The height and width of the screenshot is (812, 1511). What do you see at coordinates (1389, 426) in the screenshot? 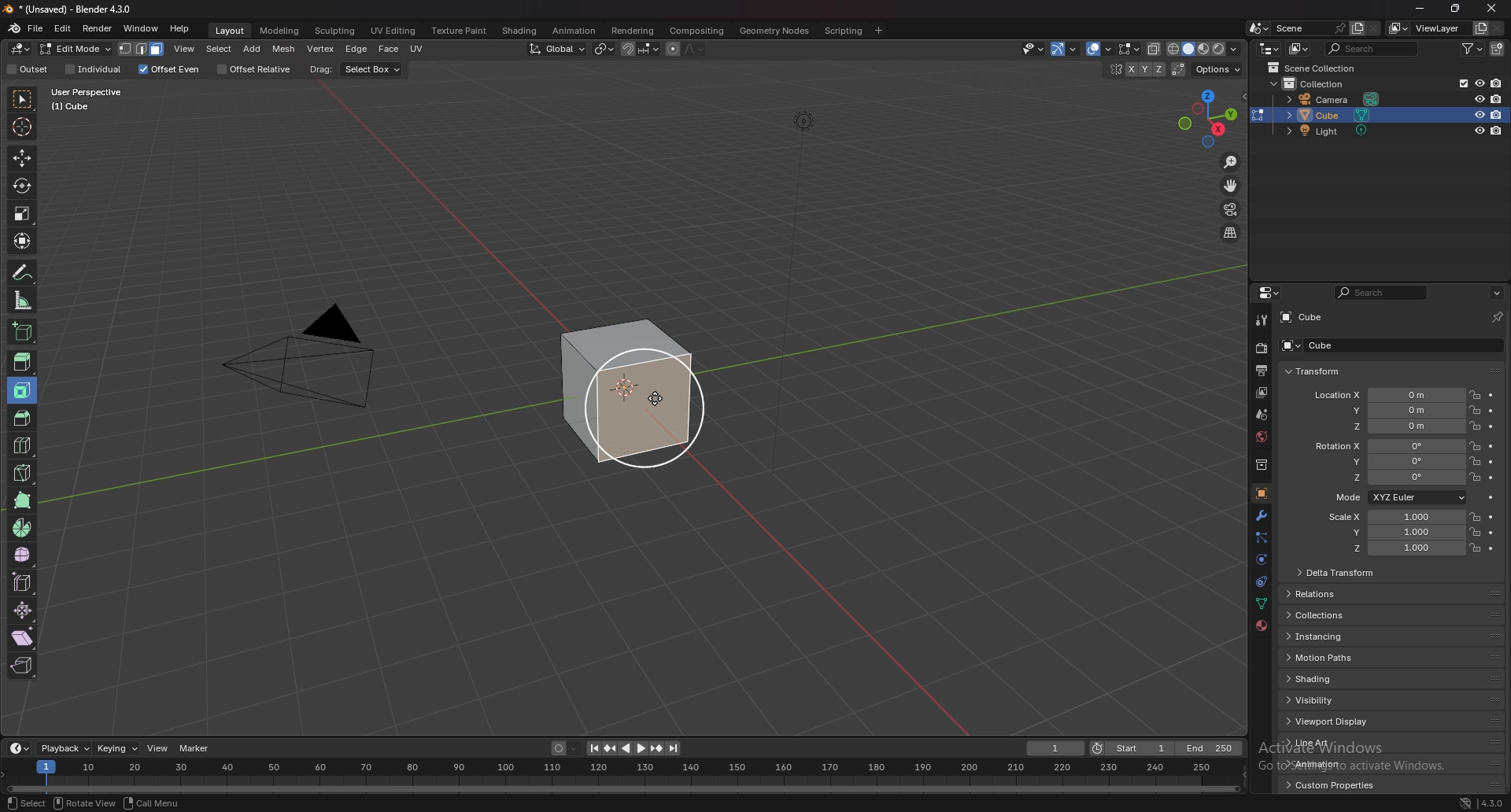
I see `location z` at bounding box center [1389, 426].